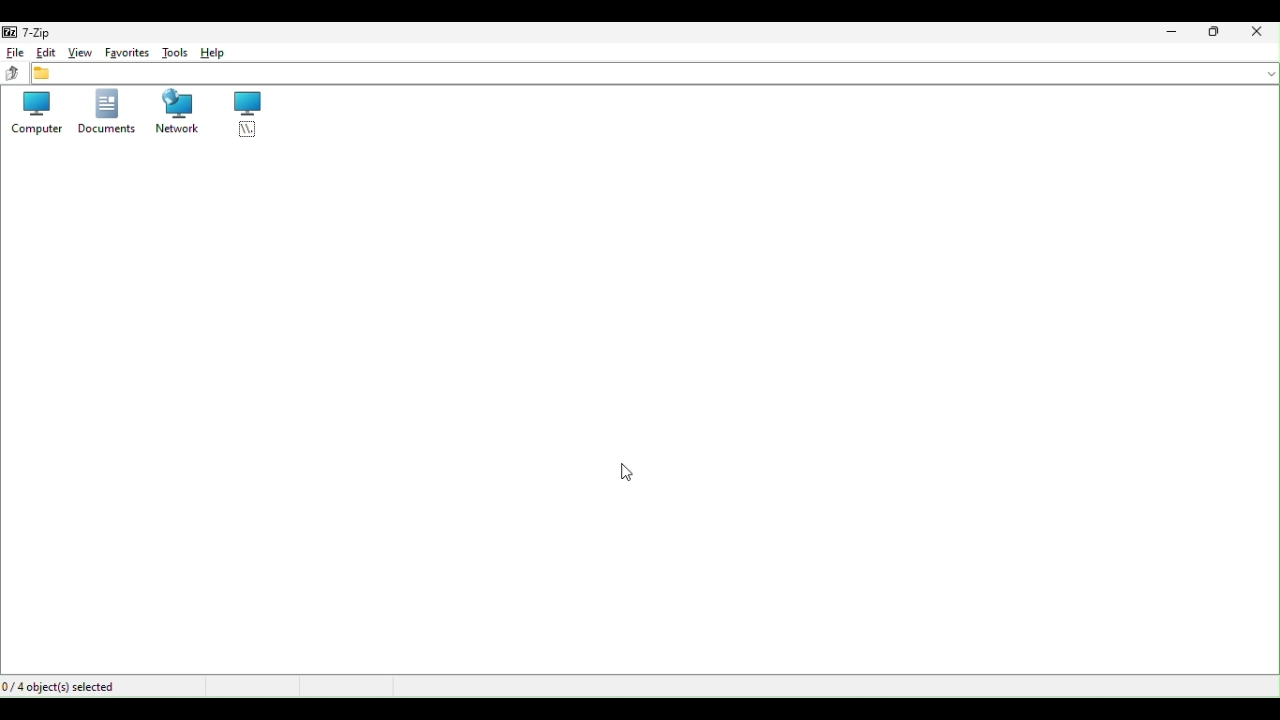 This screenshot has width=1280, height=720. What do you see at coordinates (230, 50) in the screenshot?
I see `help` at bounding box center [230, 50].